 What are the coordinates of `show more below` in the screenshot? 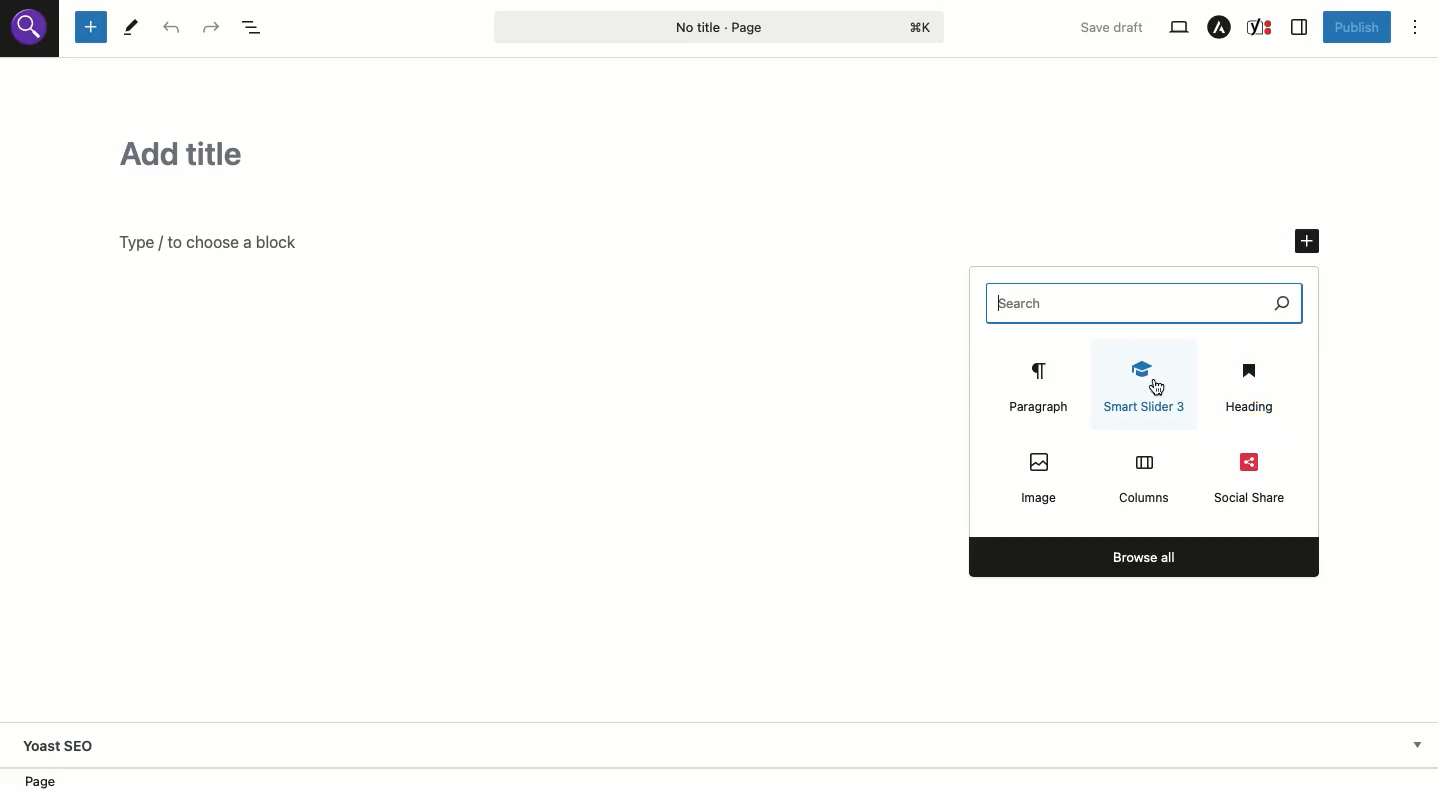 It's located at (1416, 743).